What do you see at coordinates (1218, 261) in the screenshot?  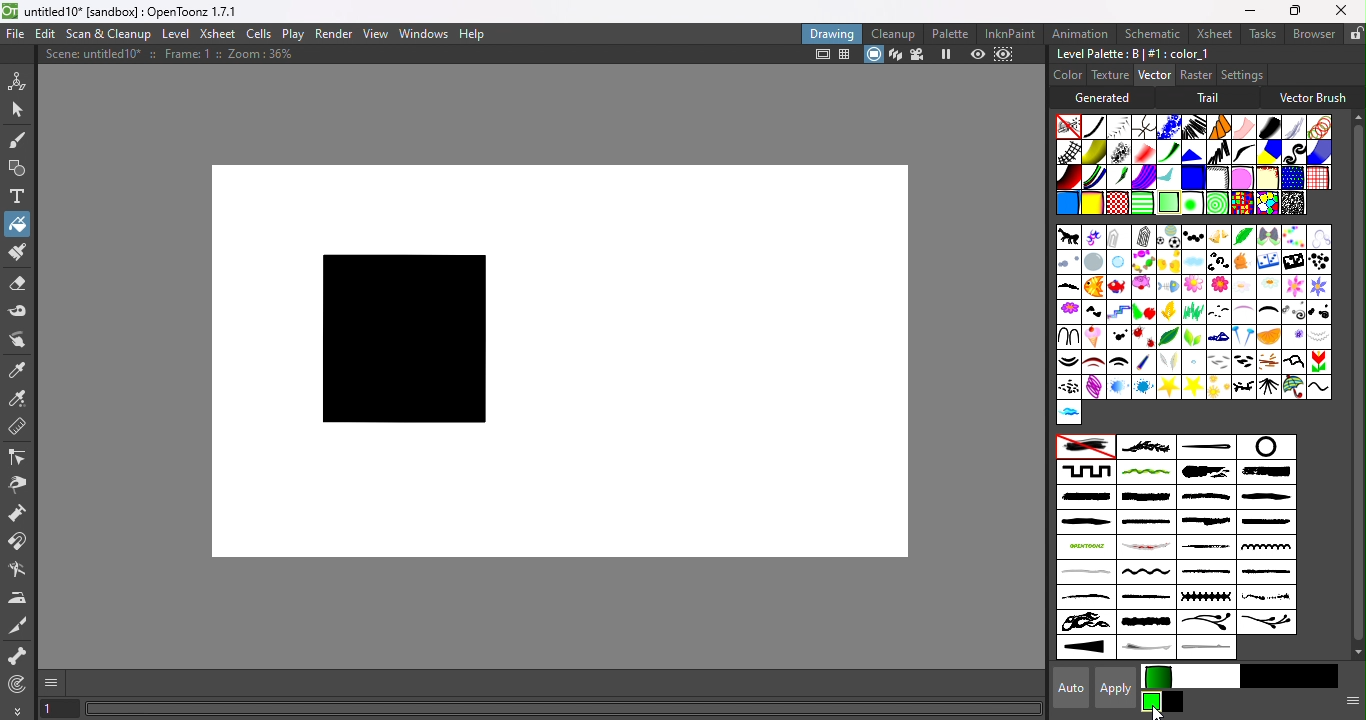 I see `Curl` at bounding box center [1218, 261].